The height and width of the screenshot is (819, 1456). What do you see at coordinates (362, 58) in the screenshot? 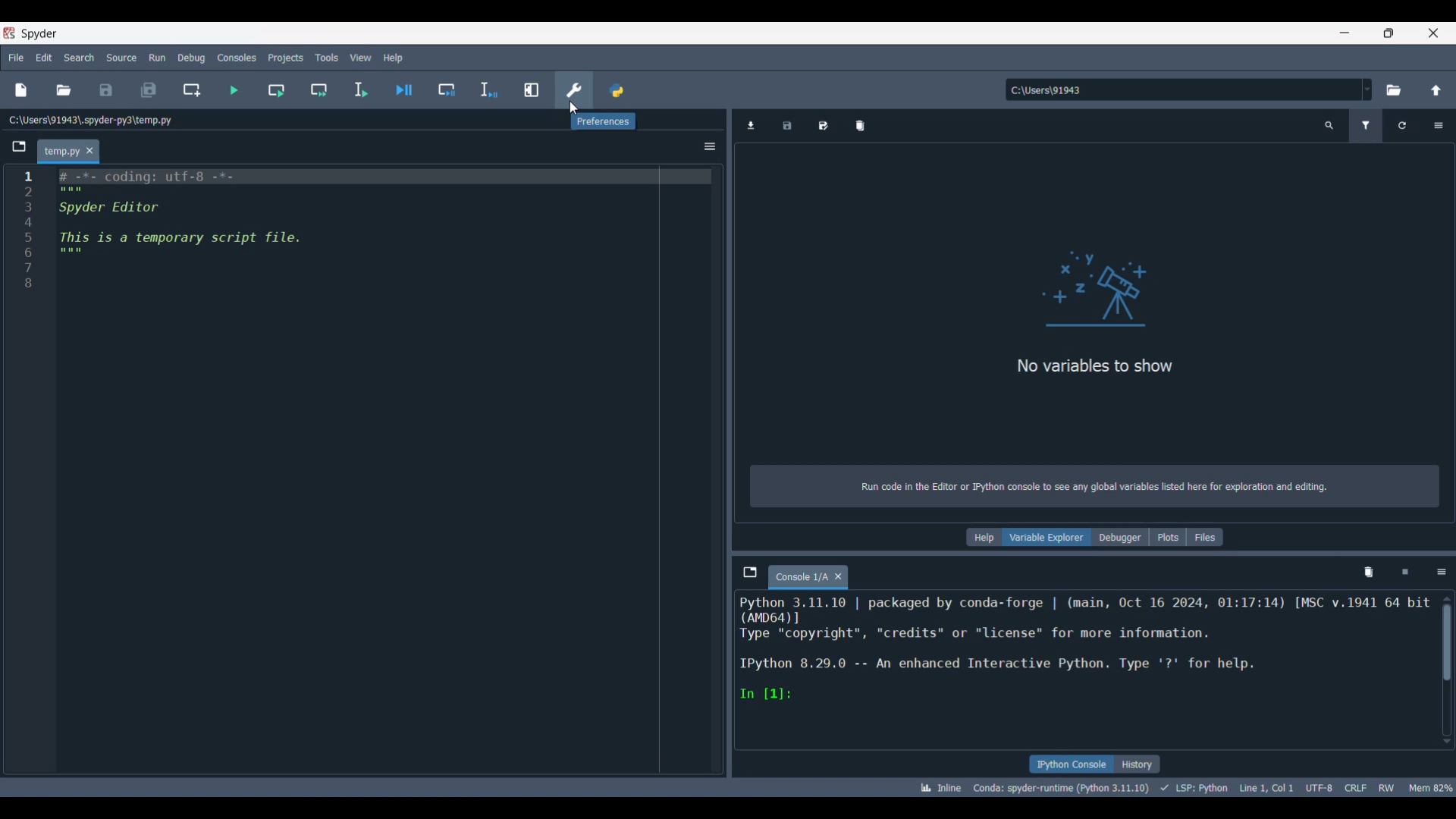
I see `View menu` at bounding box center [362, 58].